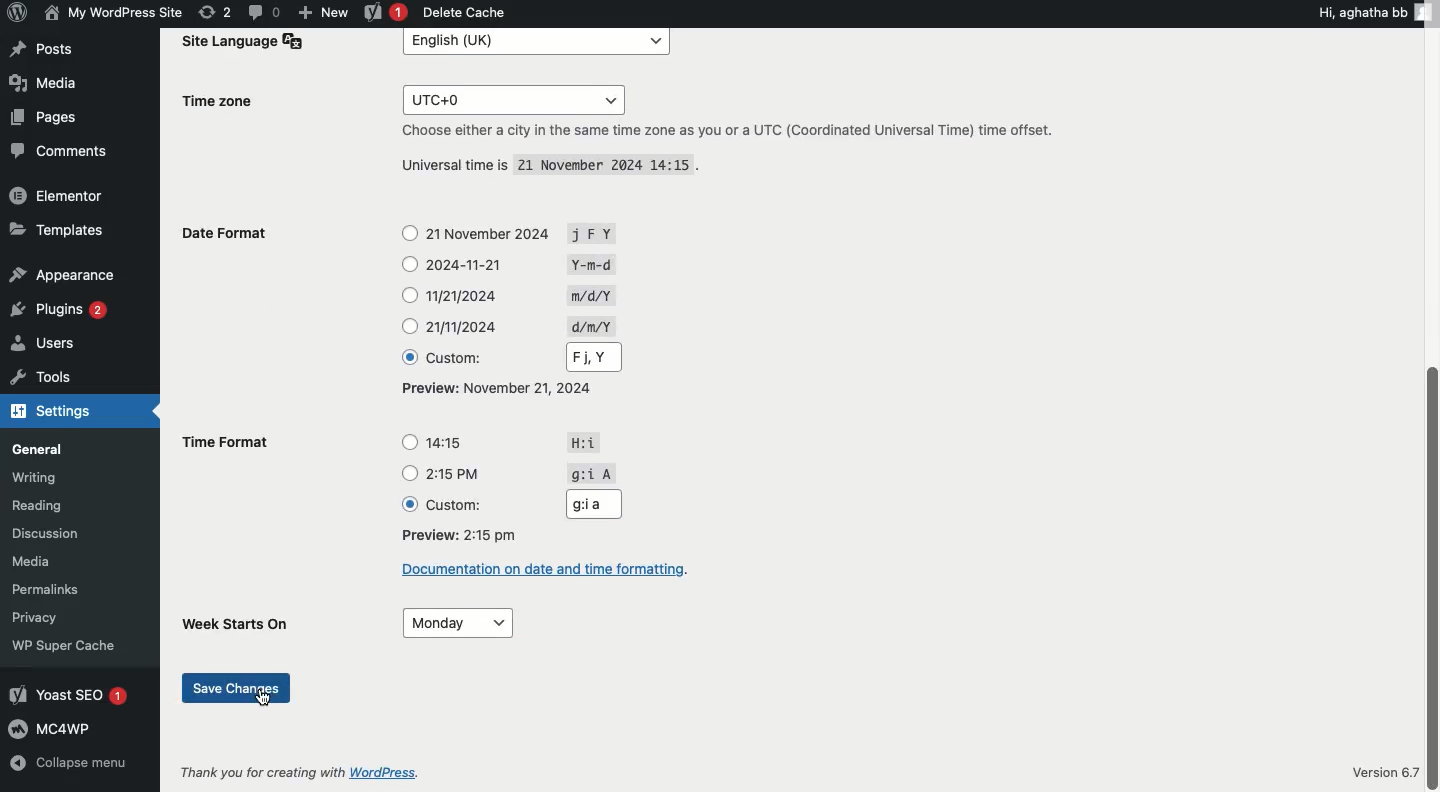  Describe the element at coordinates (239, 445) in the screenshot. I see `Time format` at that location.